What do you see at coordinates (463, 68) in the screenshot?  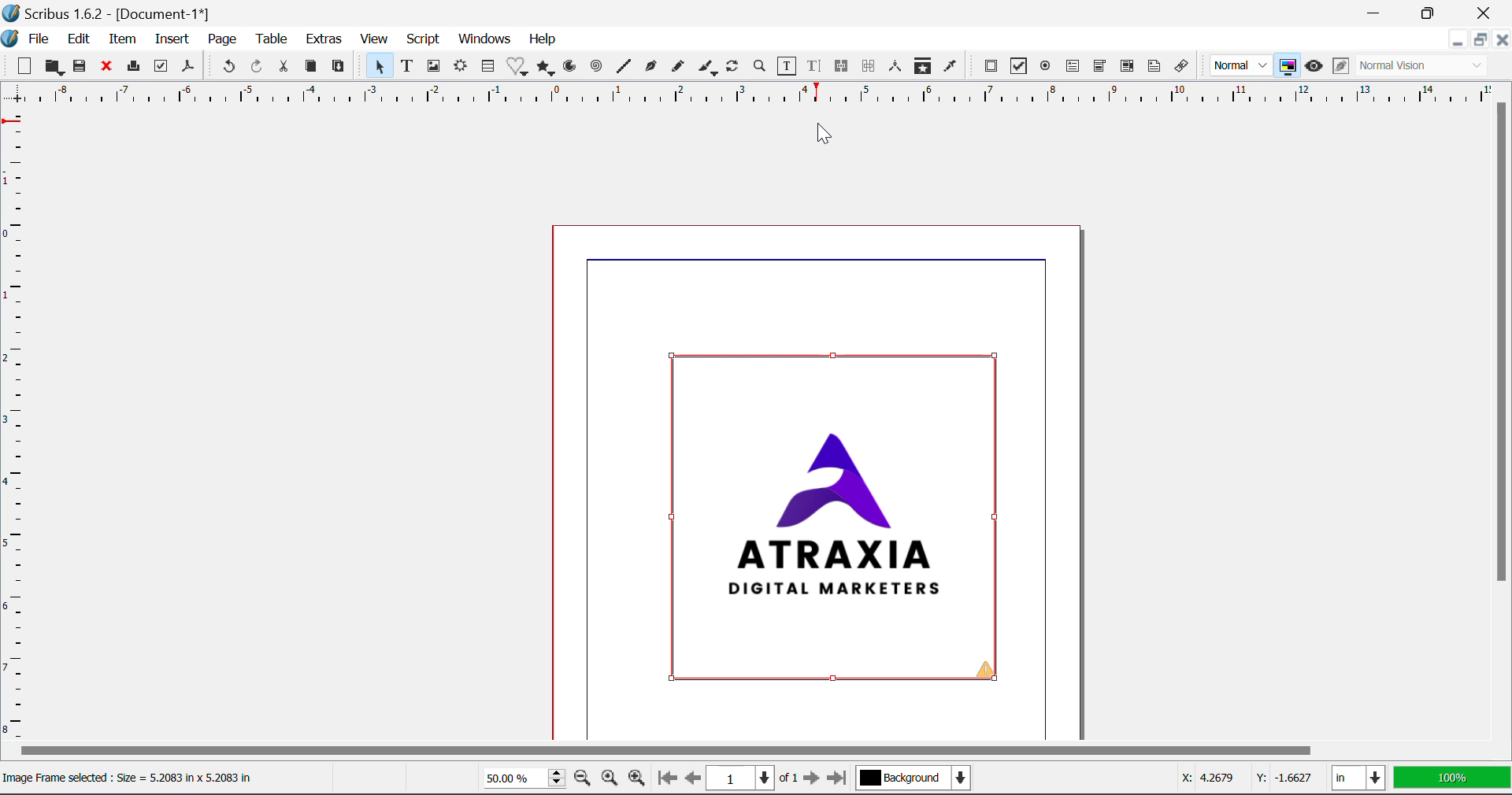 I see `Render Frame` at bounding box center [463, 68].